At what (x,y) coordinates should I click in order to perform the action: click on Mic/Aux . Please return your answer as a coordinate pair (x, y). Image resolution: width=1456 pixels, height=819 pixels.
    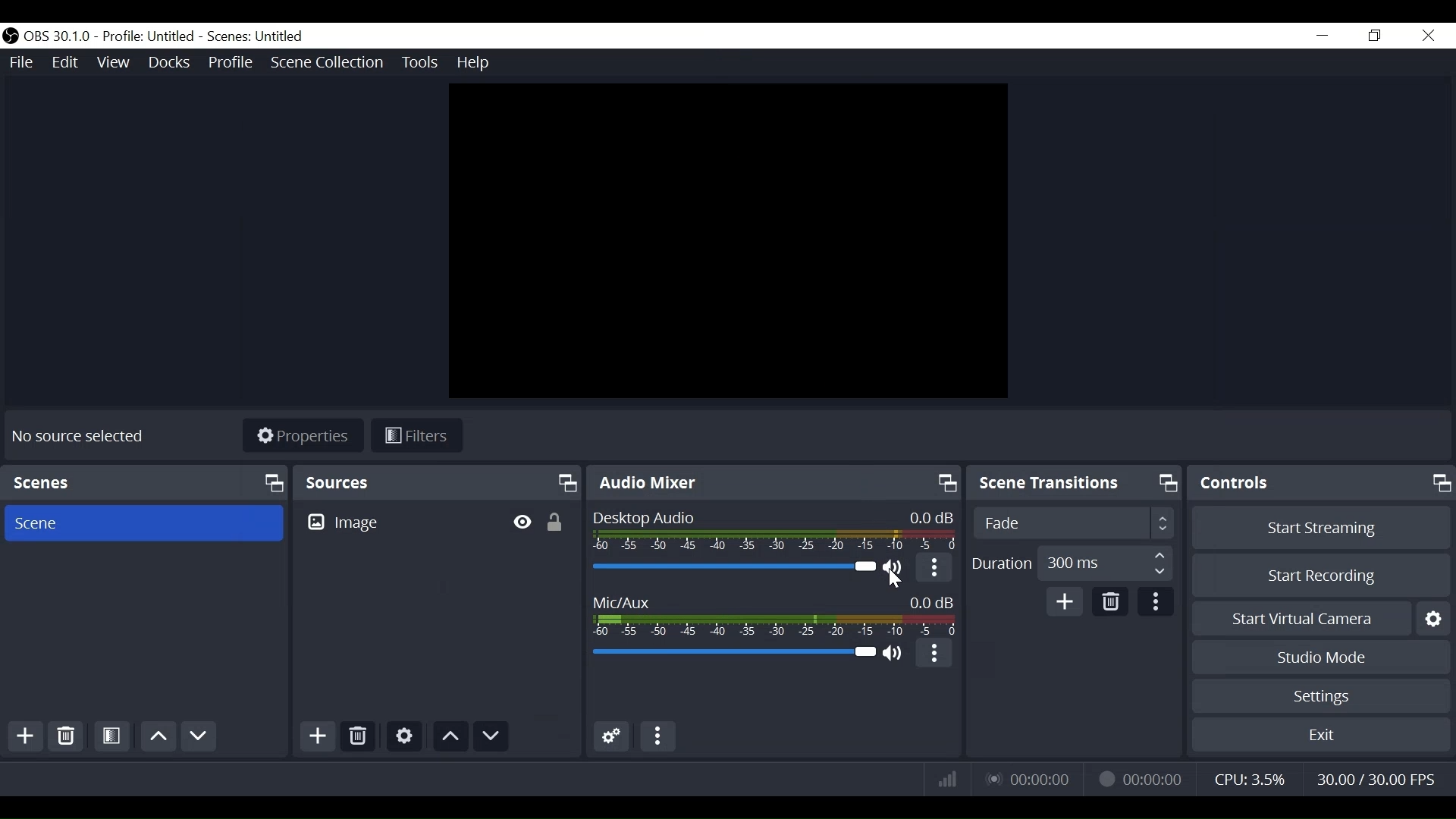
    Looking at the image, I should click on (776, 616).